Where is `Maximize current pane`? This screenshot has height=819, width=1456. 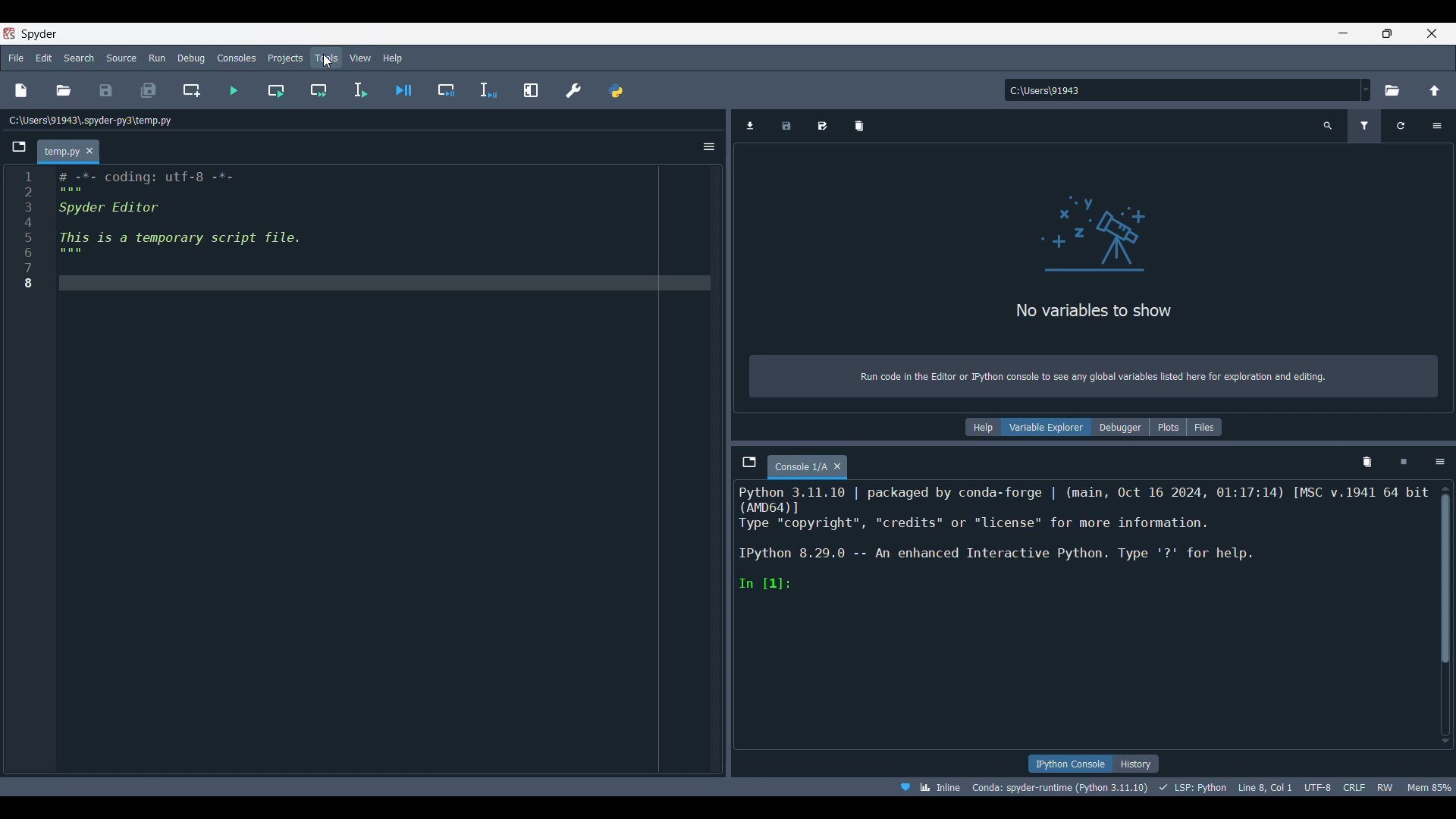
Maximize current pane is located at coordinates (531, 89).